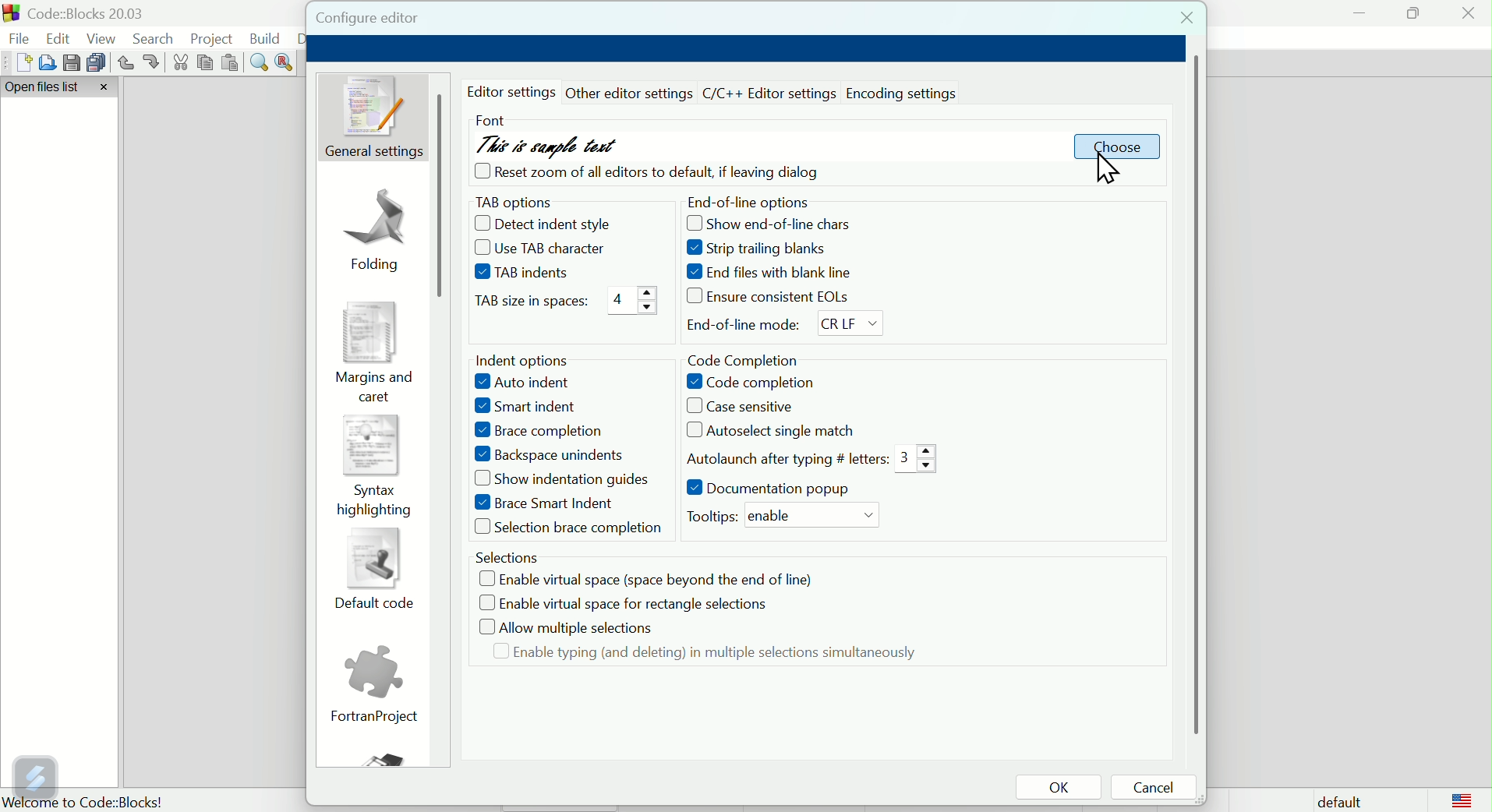 This screenshot has height=812, width=1492. What do you see at coordinates (1158, 789) in the screenshot?
I see `Cancel` at bounding box center [1158, 789].